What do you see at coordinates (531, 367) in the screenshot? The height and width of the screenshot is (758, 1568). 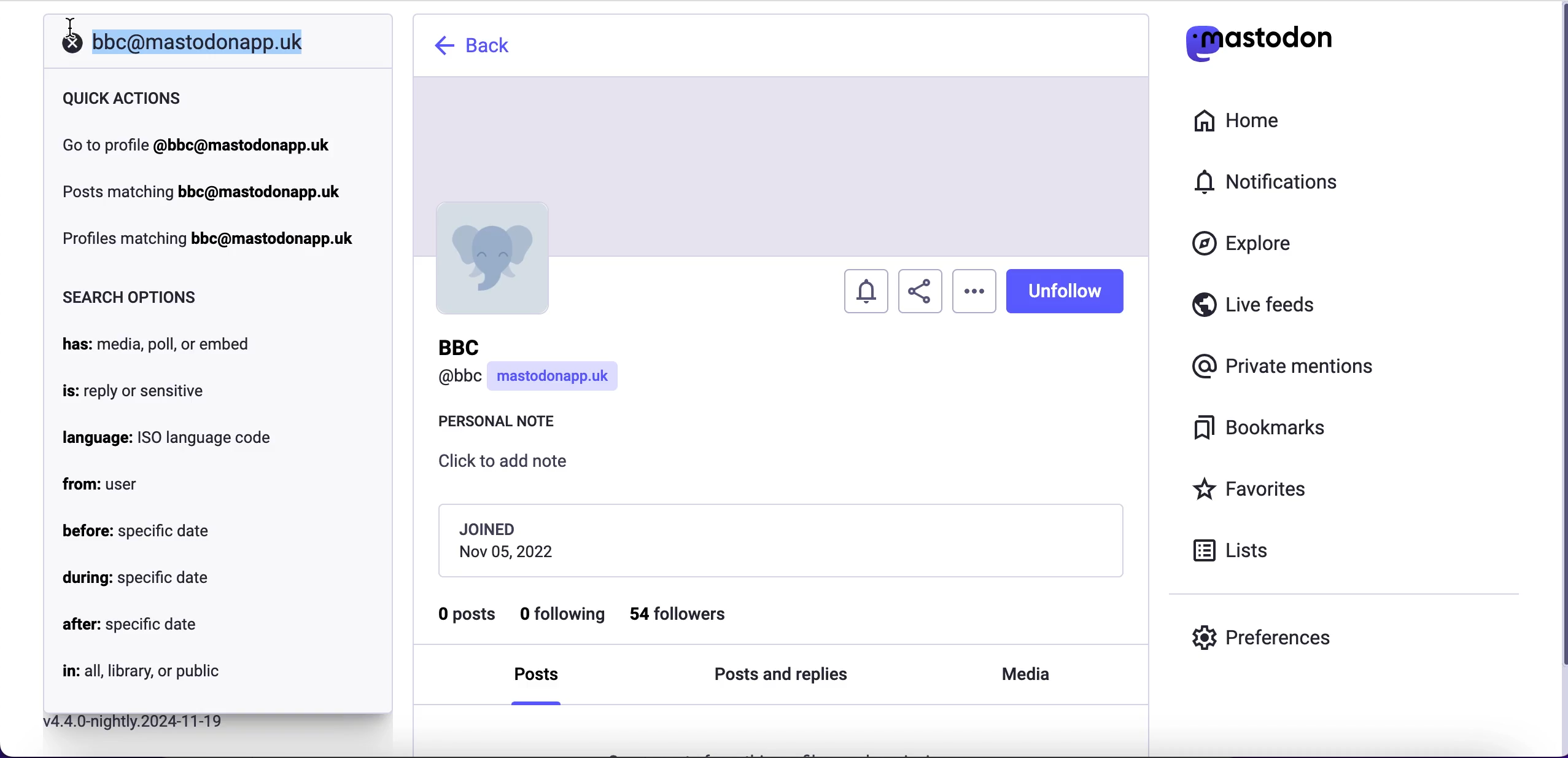 I see `user name` at bounding box center [531, 367].